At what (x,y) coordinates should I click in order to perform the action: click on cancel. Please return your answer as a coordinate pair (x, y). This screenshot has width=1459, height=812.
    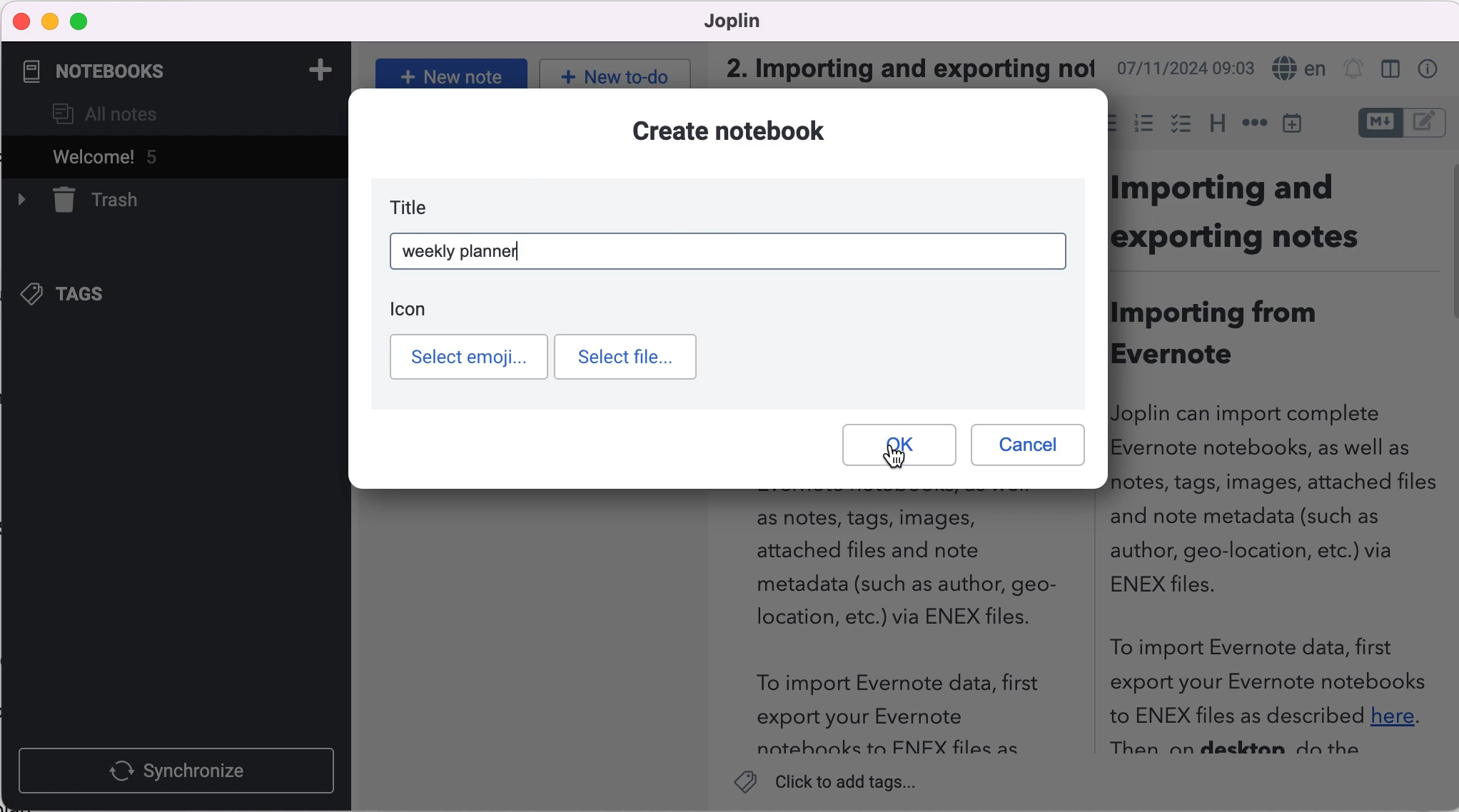
    Looking at the image, I should click on (1026, 446).